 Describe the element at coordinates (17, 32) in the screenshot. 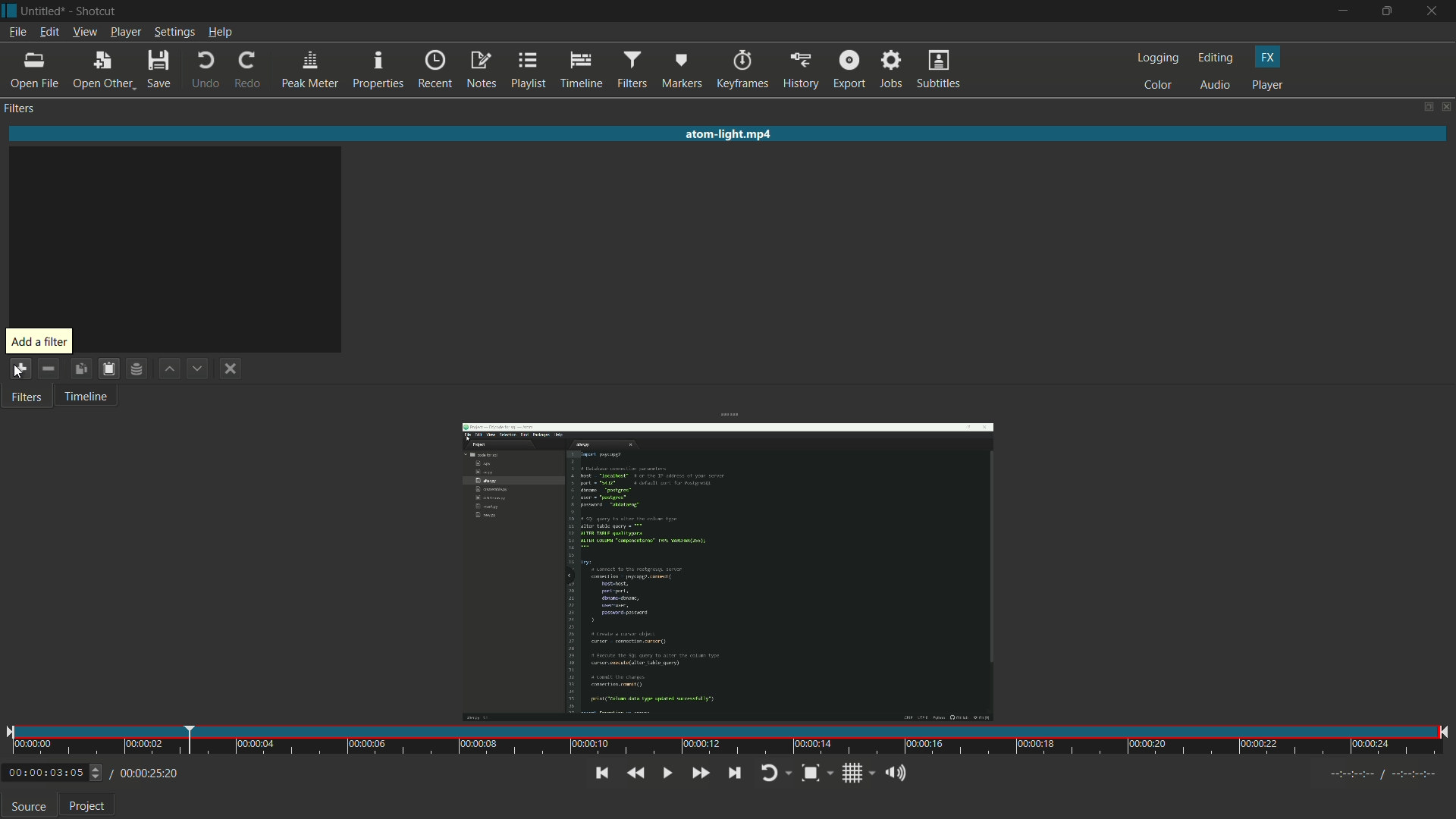

I see `file menu` at that location.